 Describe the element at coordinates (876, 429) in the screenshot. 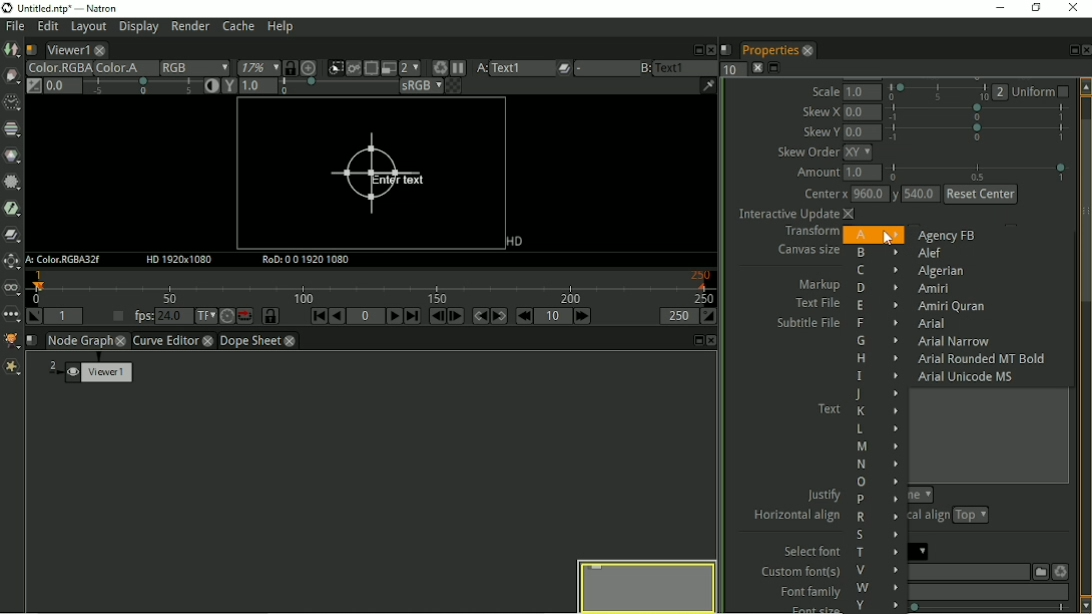

I see `L` at that location.